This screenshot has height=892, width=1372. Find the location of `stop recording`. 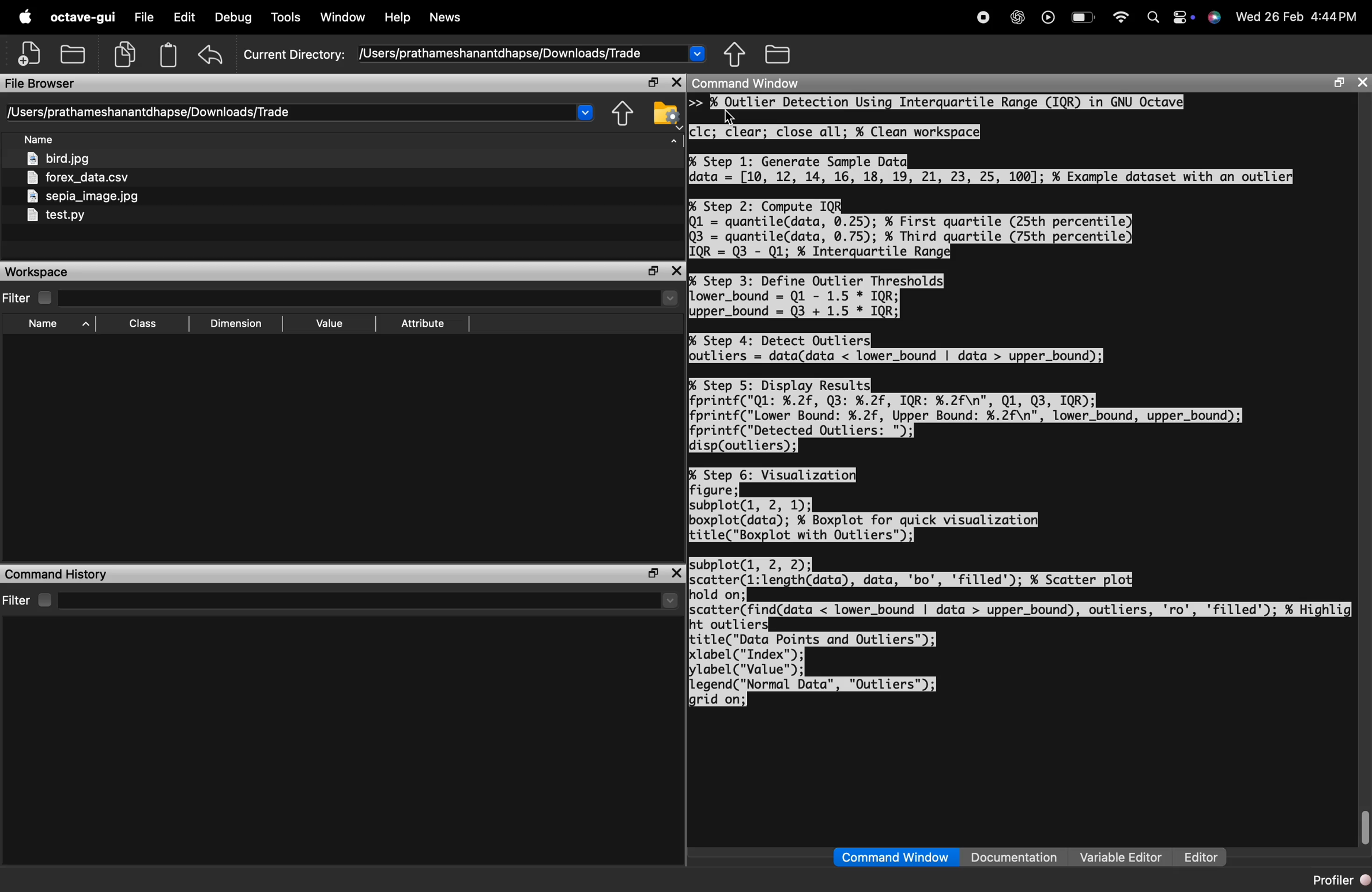

stop recording is located at coordinates (984, 19).